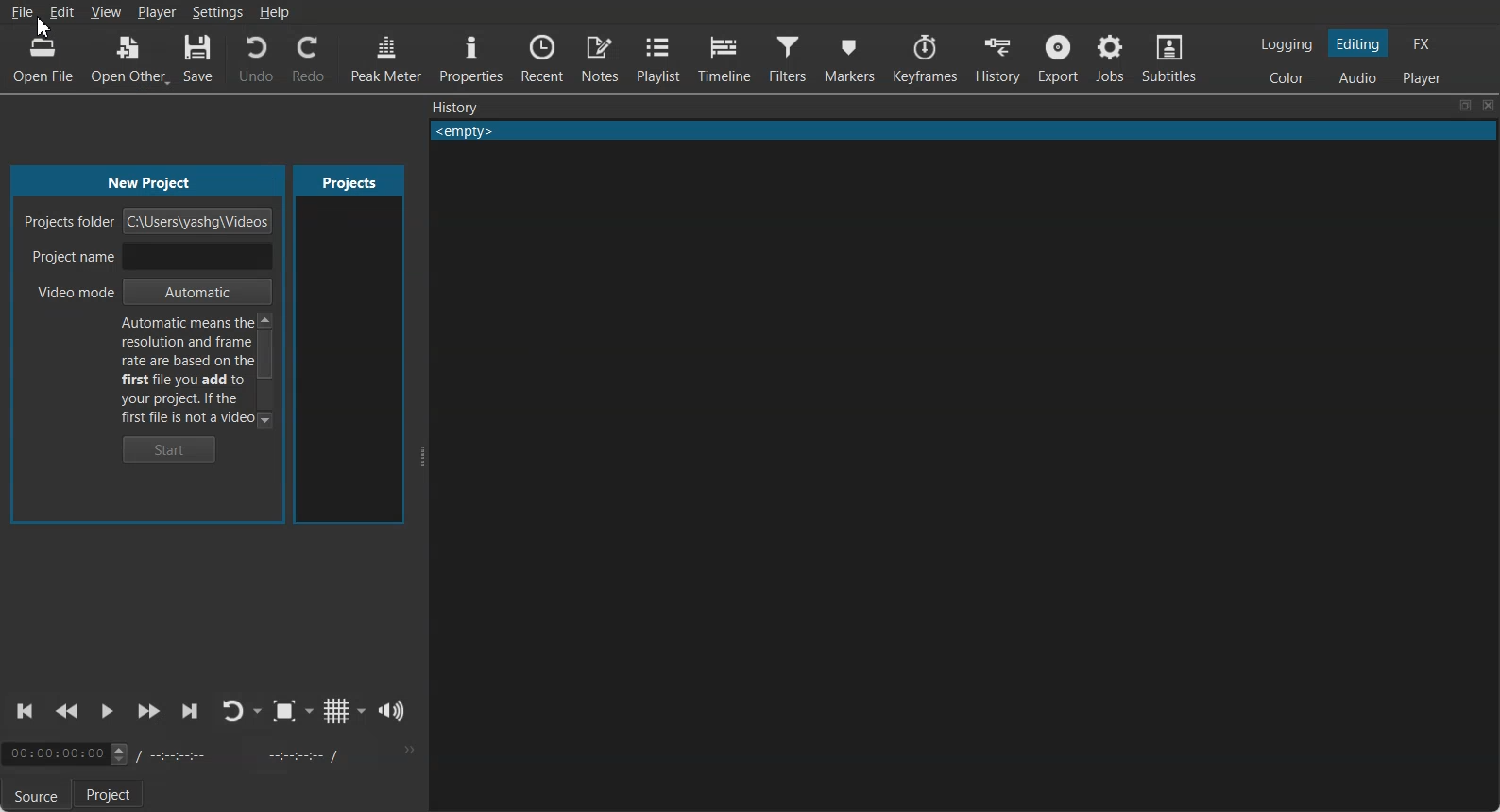  Describe the element at coordinates (191, 712) in the screenshot. I see `Skip to next point` at that location.